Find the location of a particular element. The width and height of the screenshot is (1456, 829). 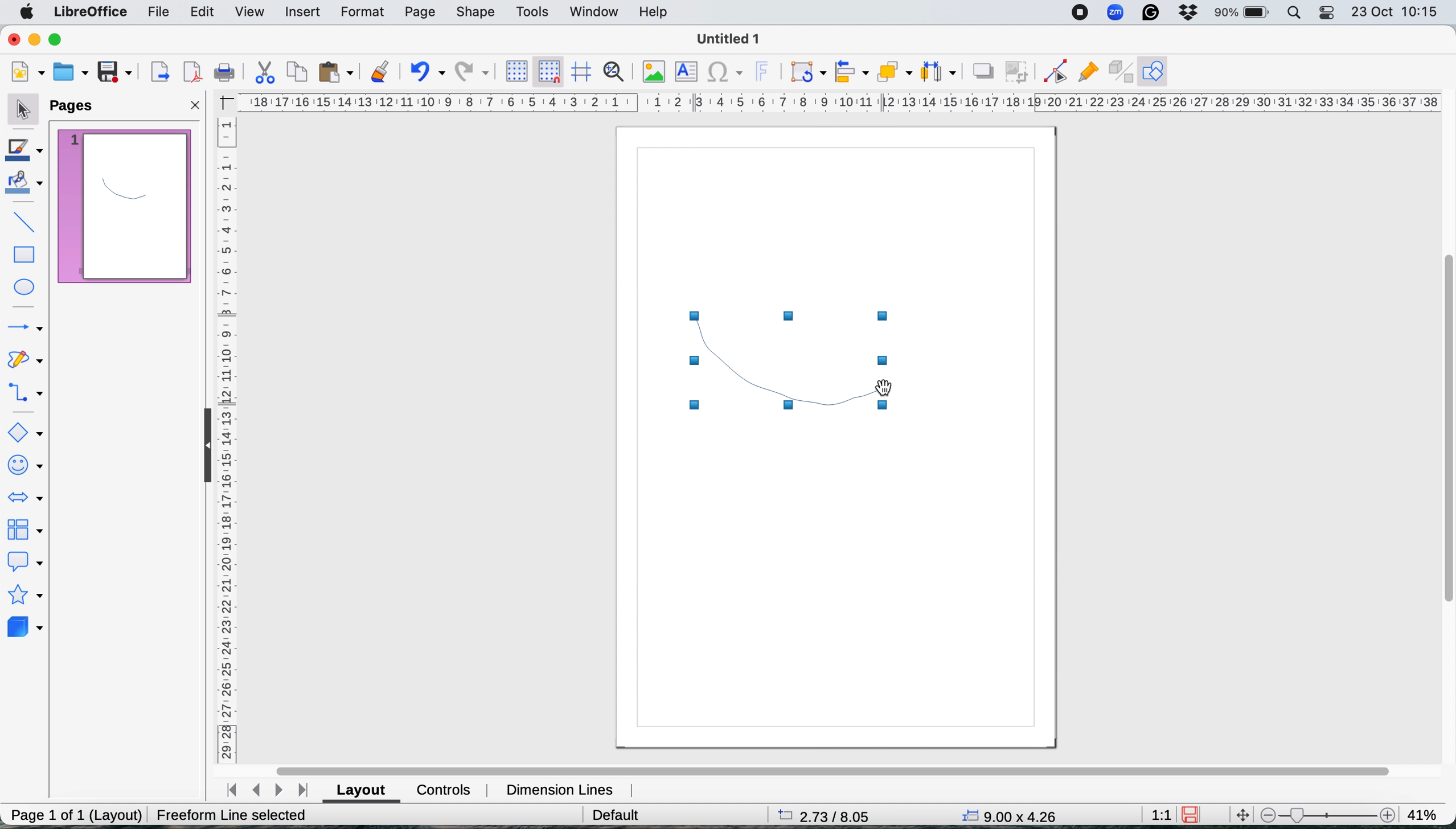

file is located at coordinates (161, 13).